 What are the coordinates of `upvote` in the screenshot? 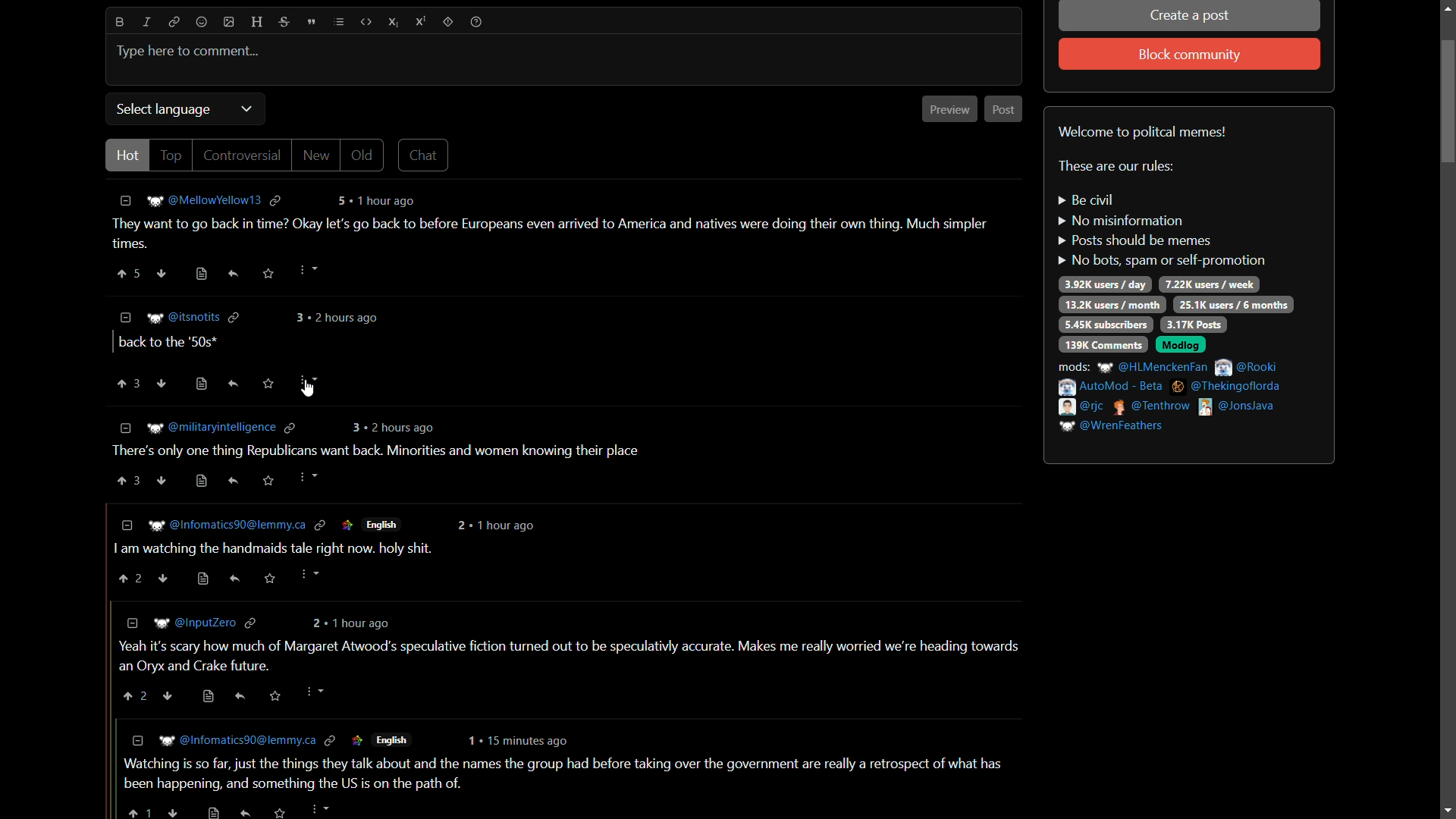 It's located at (128, 382).